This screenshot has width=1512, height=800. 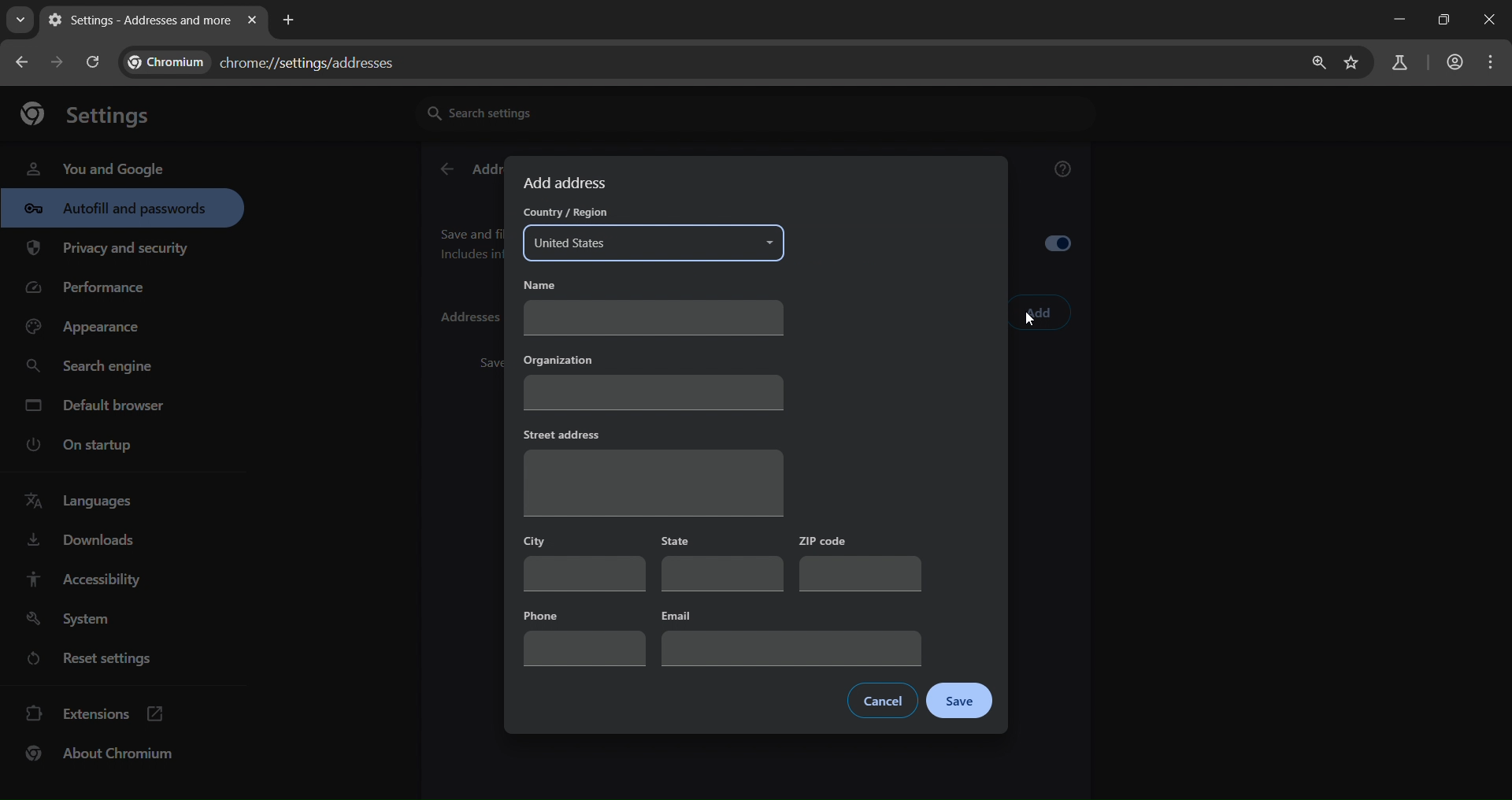 I want to click on menu, so click(x=1495, y=62).